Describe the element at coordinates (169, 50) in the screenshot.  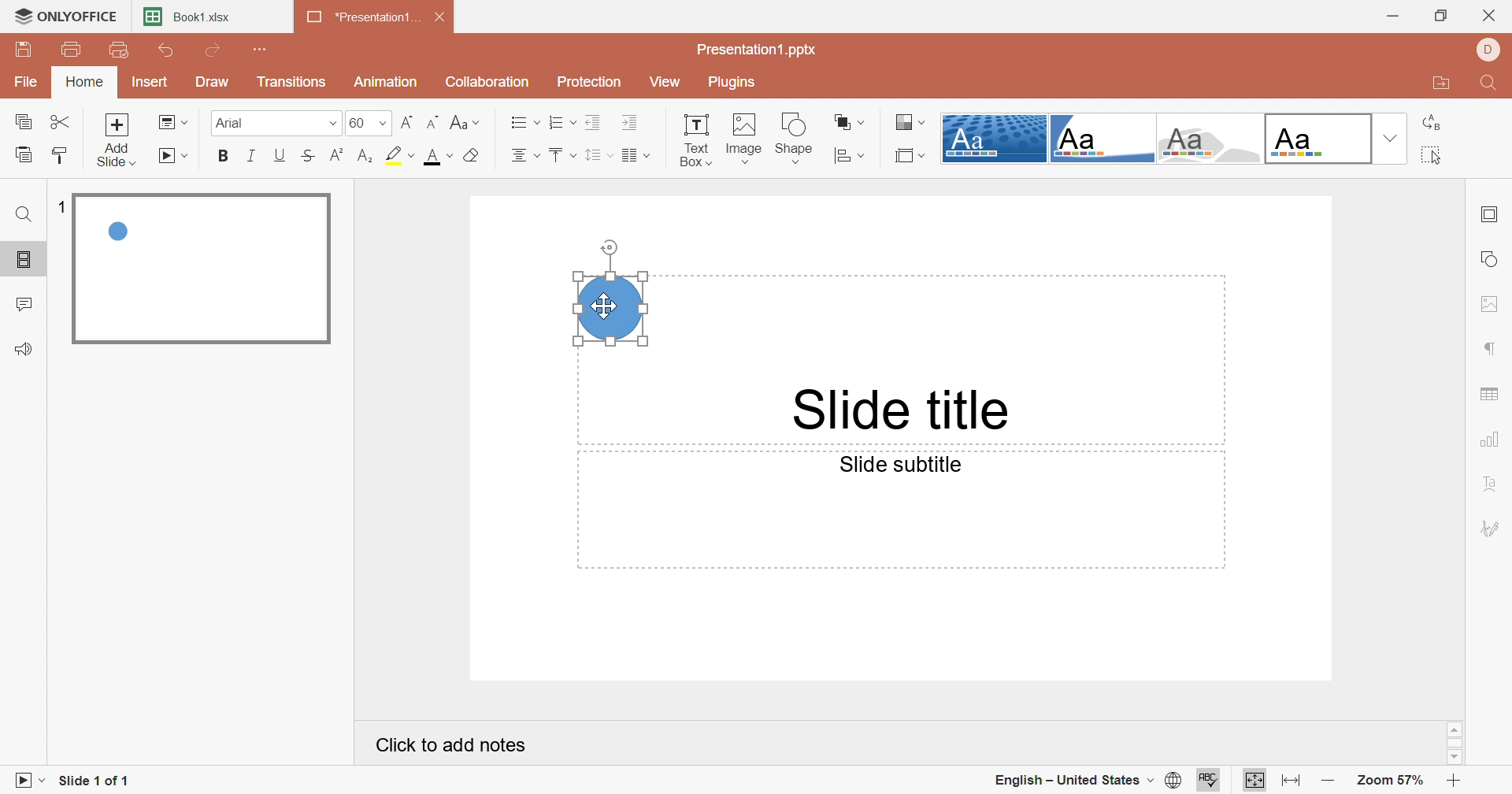
I see `Undo` at that location.